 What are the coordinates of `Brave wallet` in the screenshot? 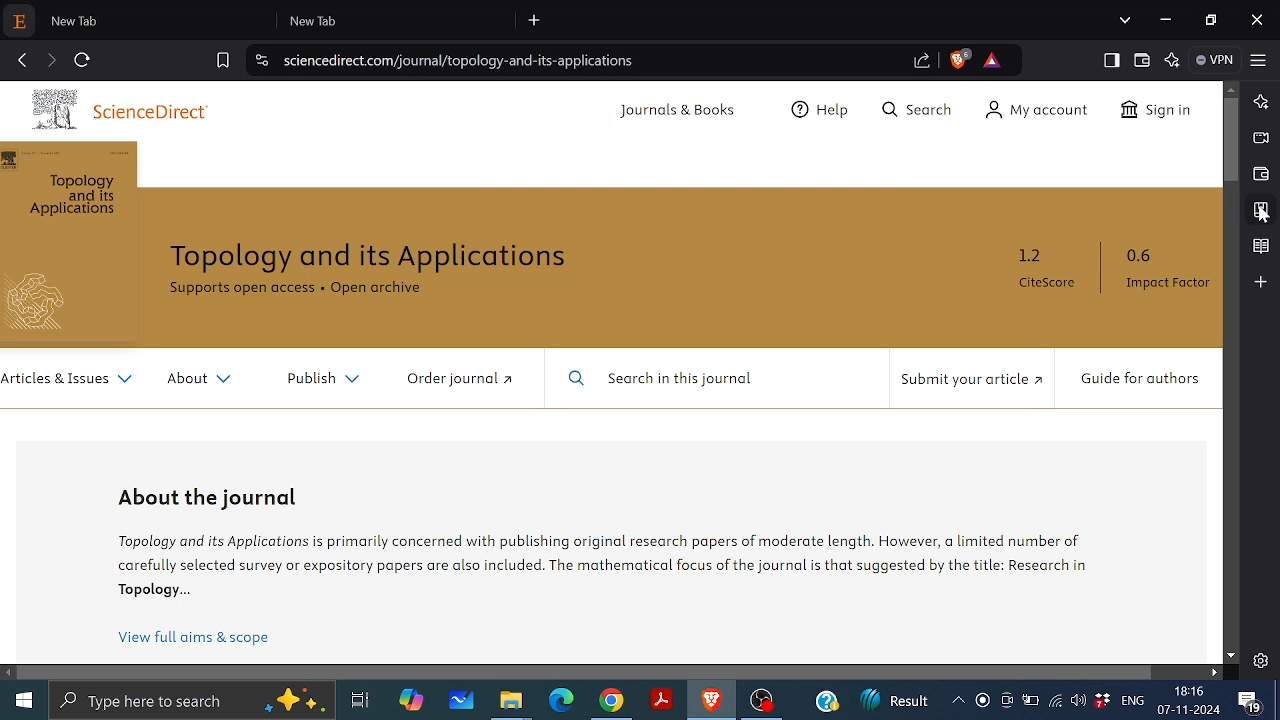 It's located at (1141, 60).